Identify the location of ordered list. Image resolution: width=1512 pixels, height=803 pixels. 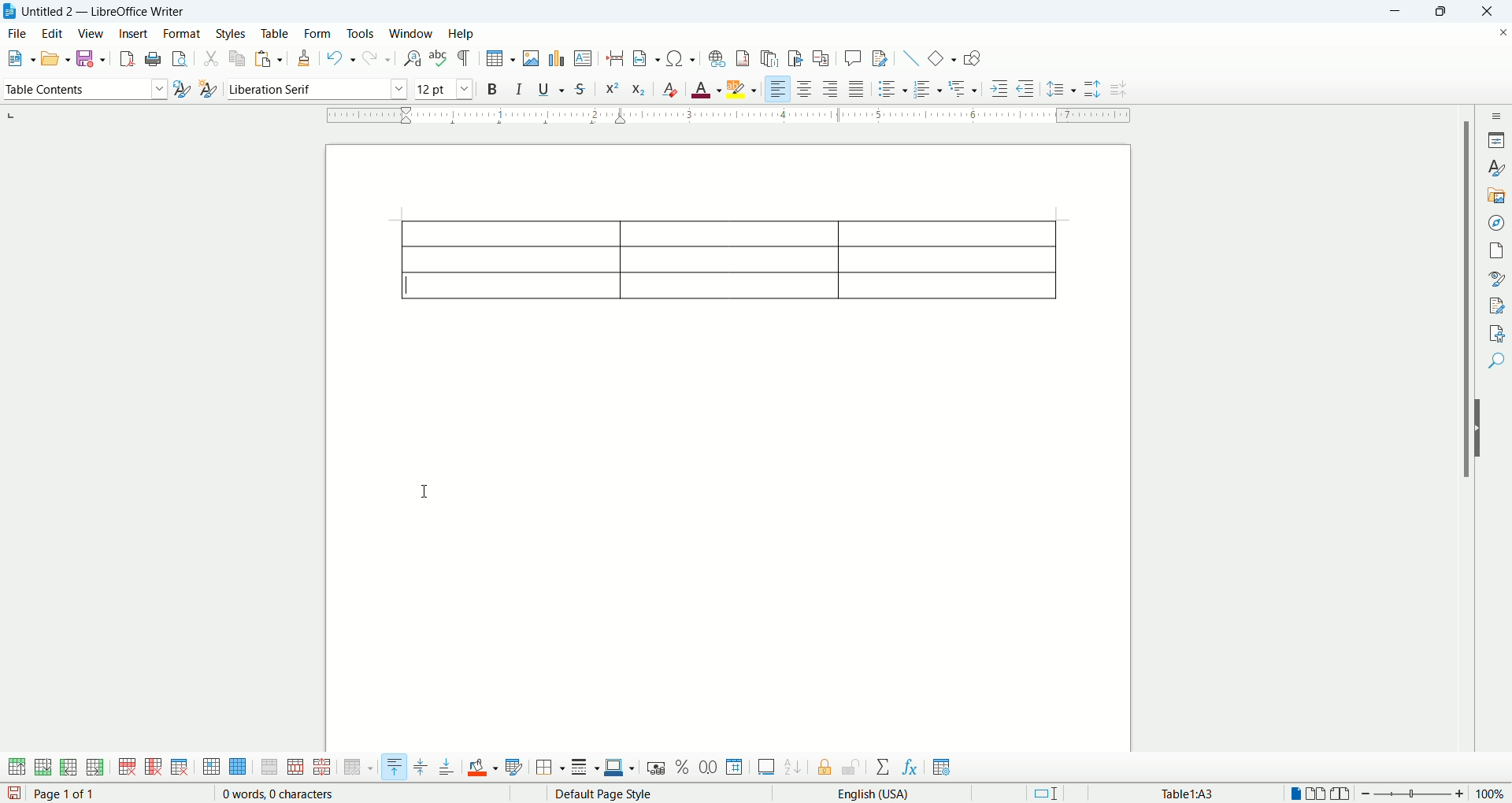
(930, 87).